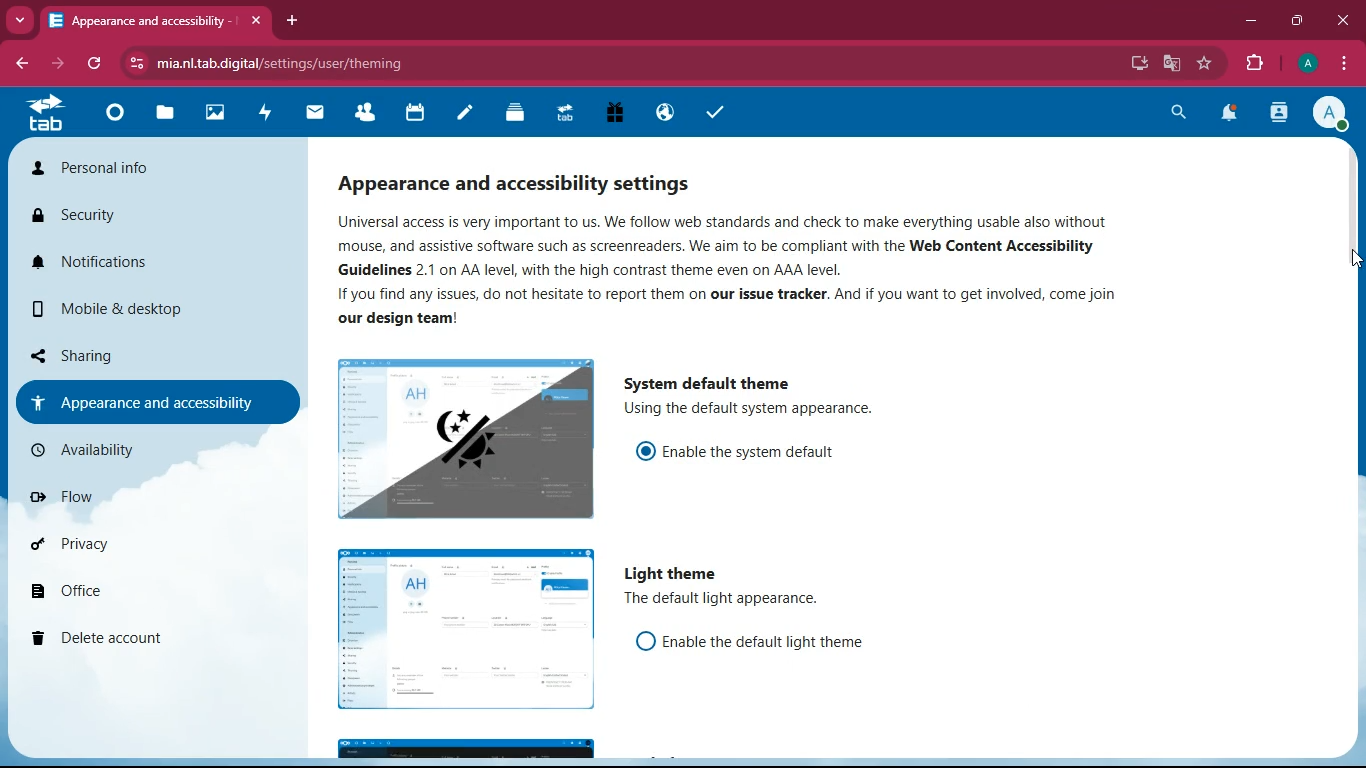 The image size is (1366, 768). I want to click on tab, so click(156, 20).